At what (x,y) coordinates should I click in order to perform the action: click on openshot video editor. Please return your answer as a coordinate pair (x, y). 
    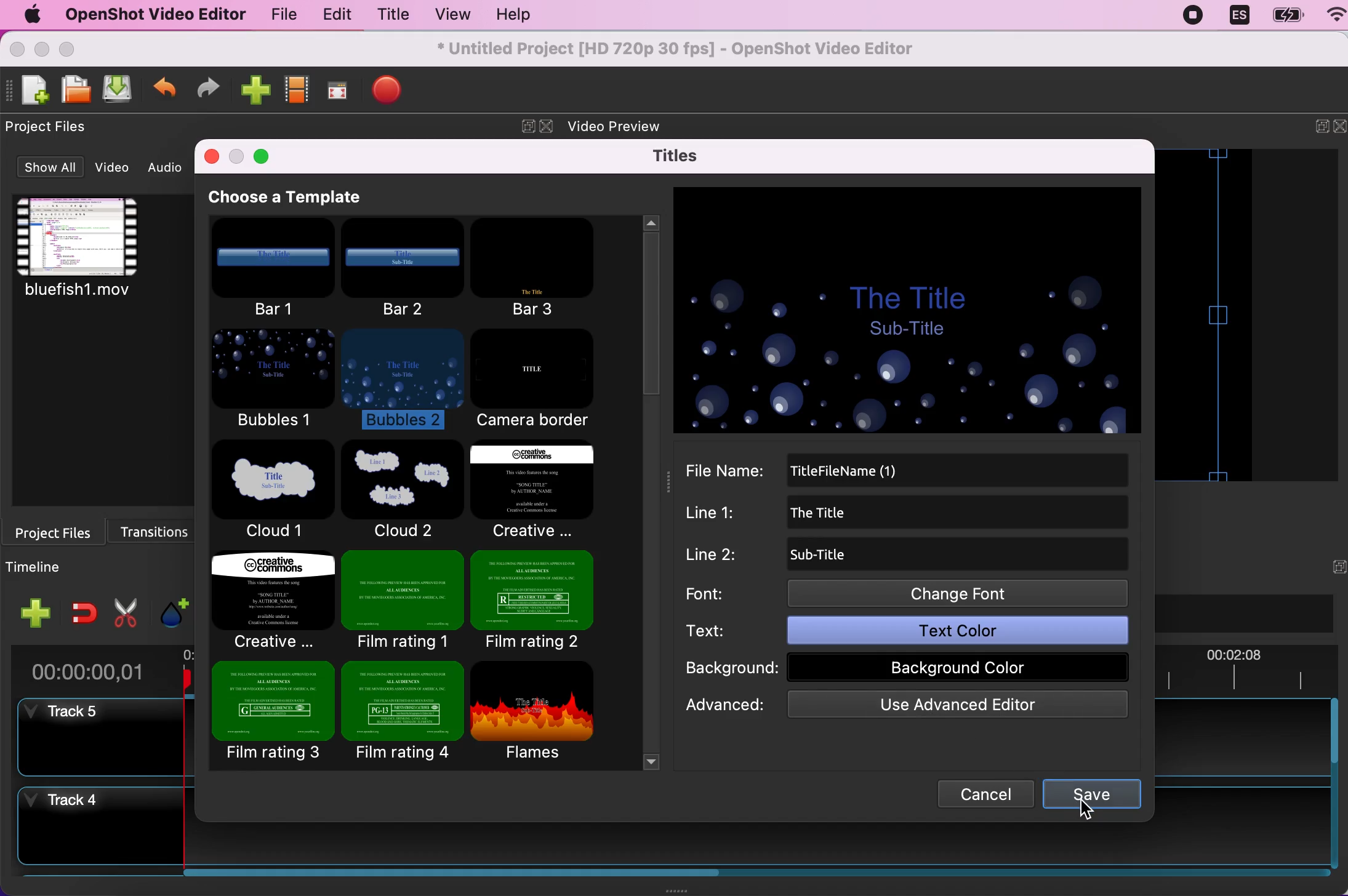
    Looking at the image, I should click on (149, 14).